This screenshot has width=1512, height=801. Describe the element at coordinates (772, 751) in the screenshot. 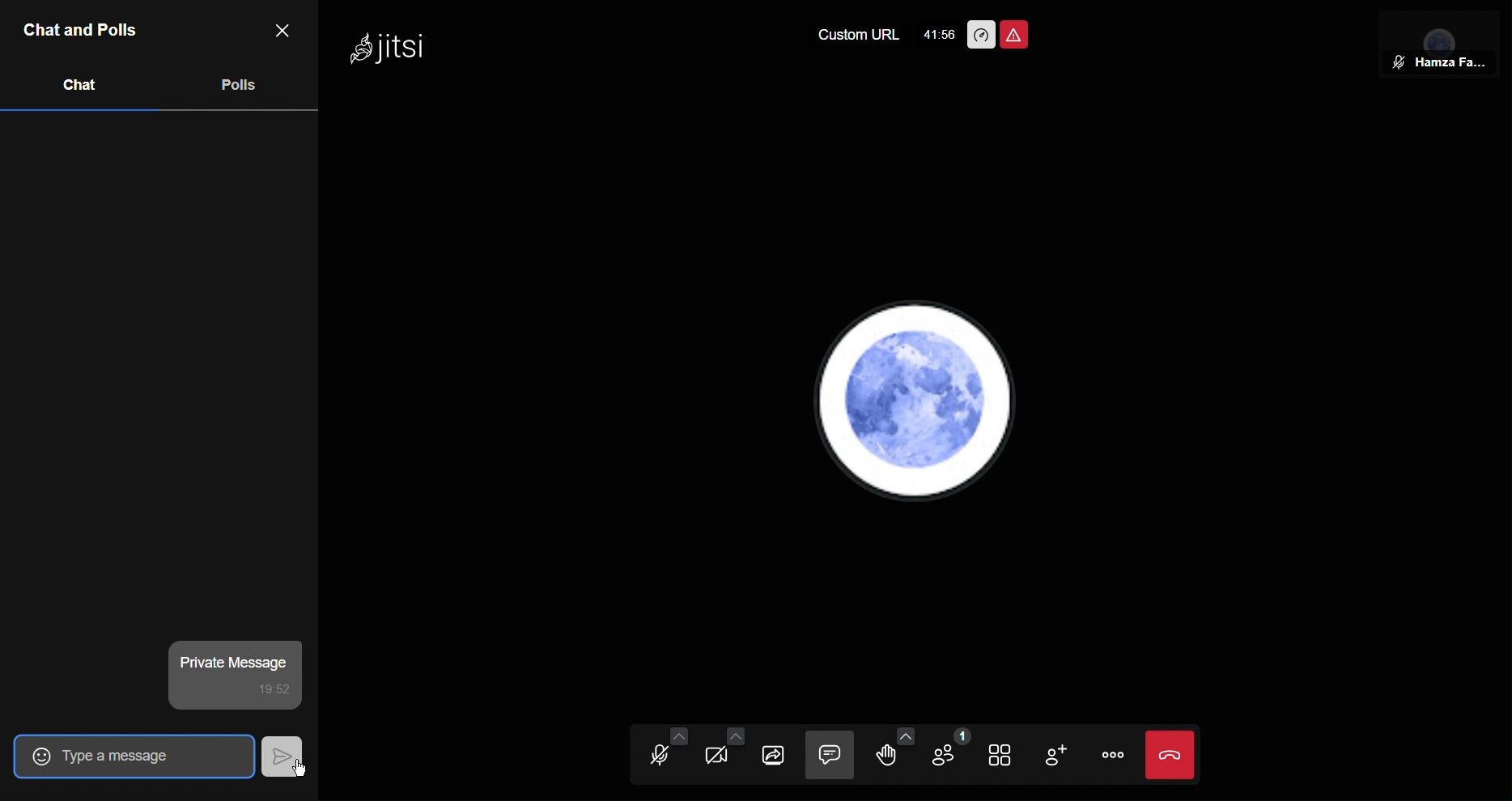

I see `Share Selection` at that location.